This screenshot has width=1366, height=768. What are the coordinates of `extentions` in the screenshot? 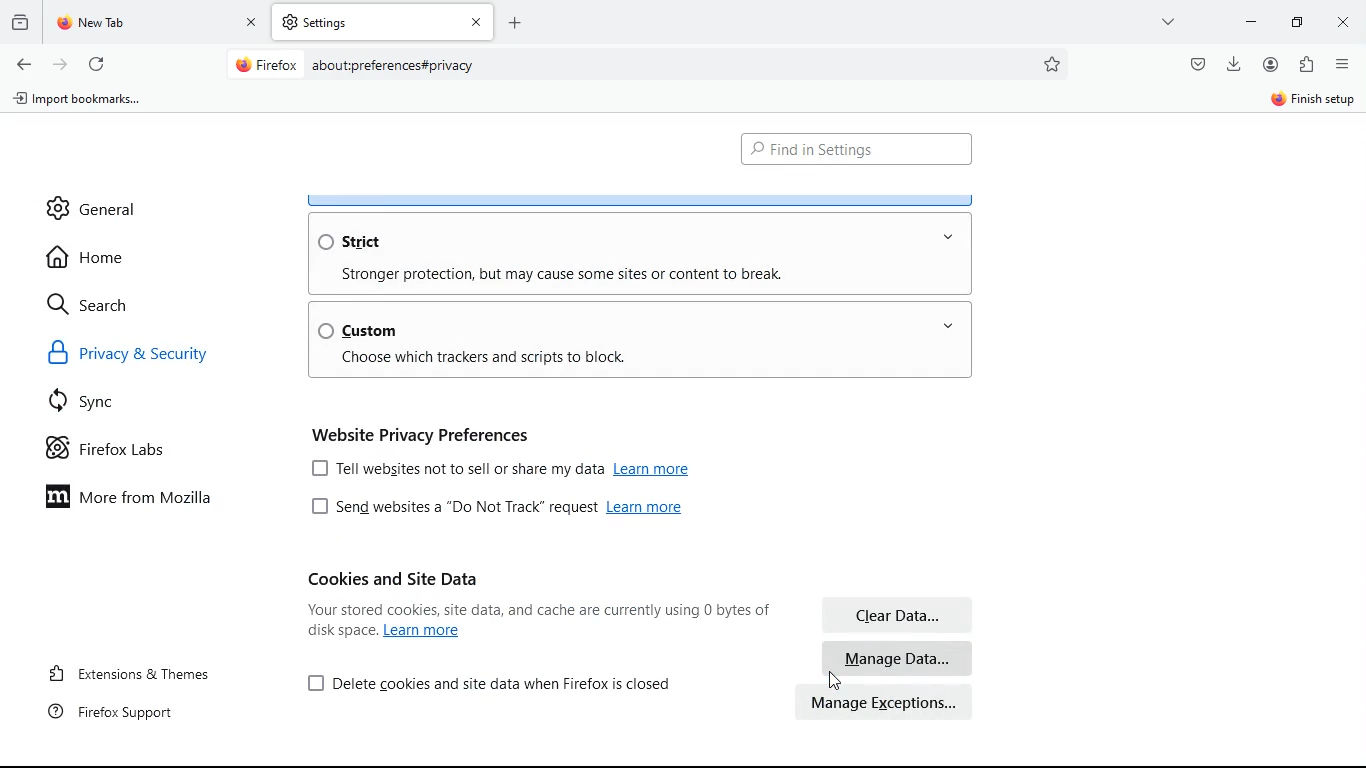 It's located at (1306, 66).